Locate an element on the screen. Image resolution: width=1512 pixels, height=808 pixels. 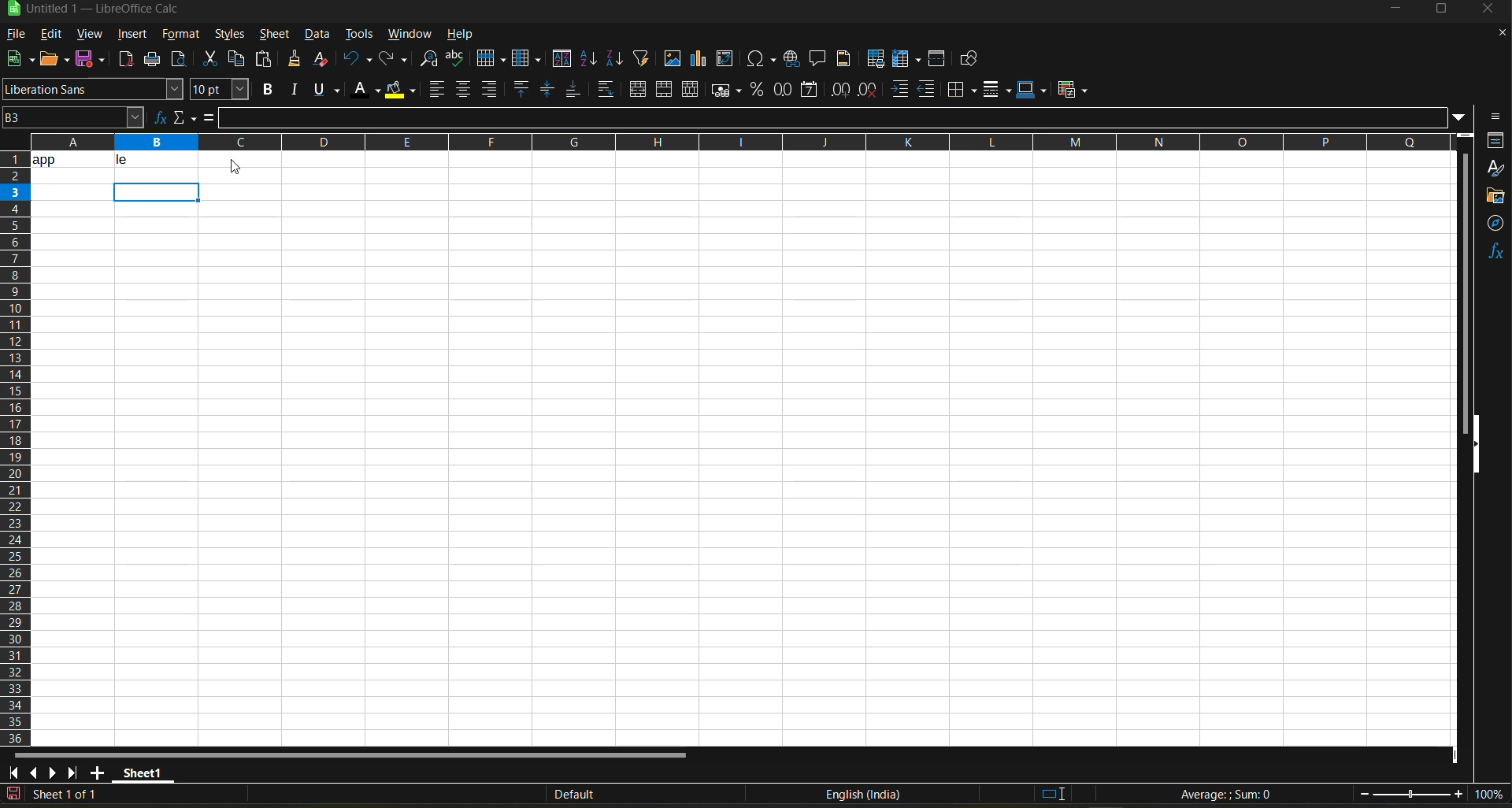
cursor is located at coordinates (232, 169).